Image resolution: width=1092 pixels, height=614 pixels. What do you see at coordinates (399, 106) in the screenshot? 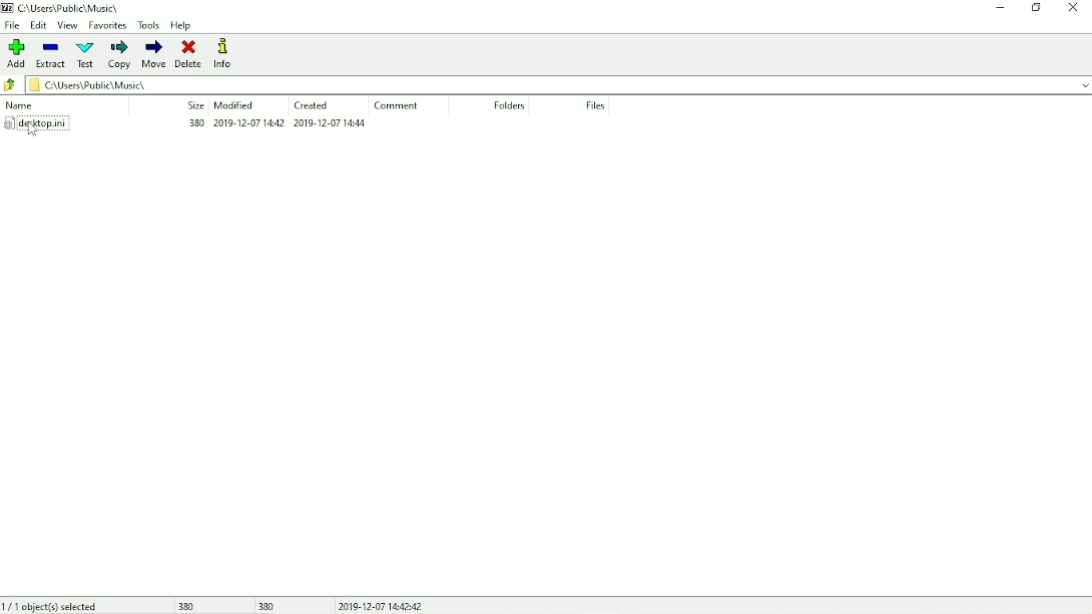
I see `Comment` at bounding box center [399, 106].